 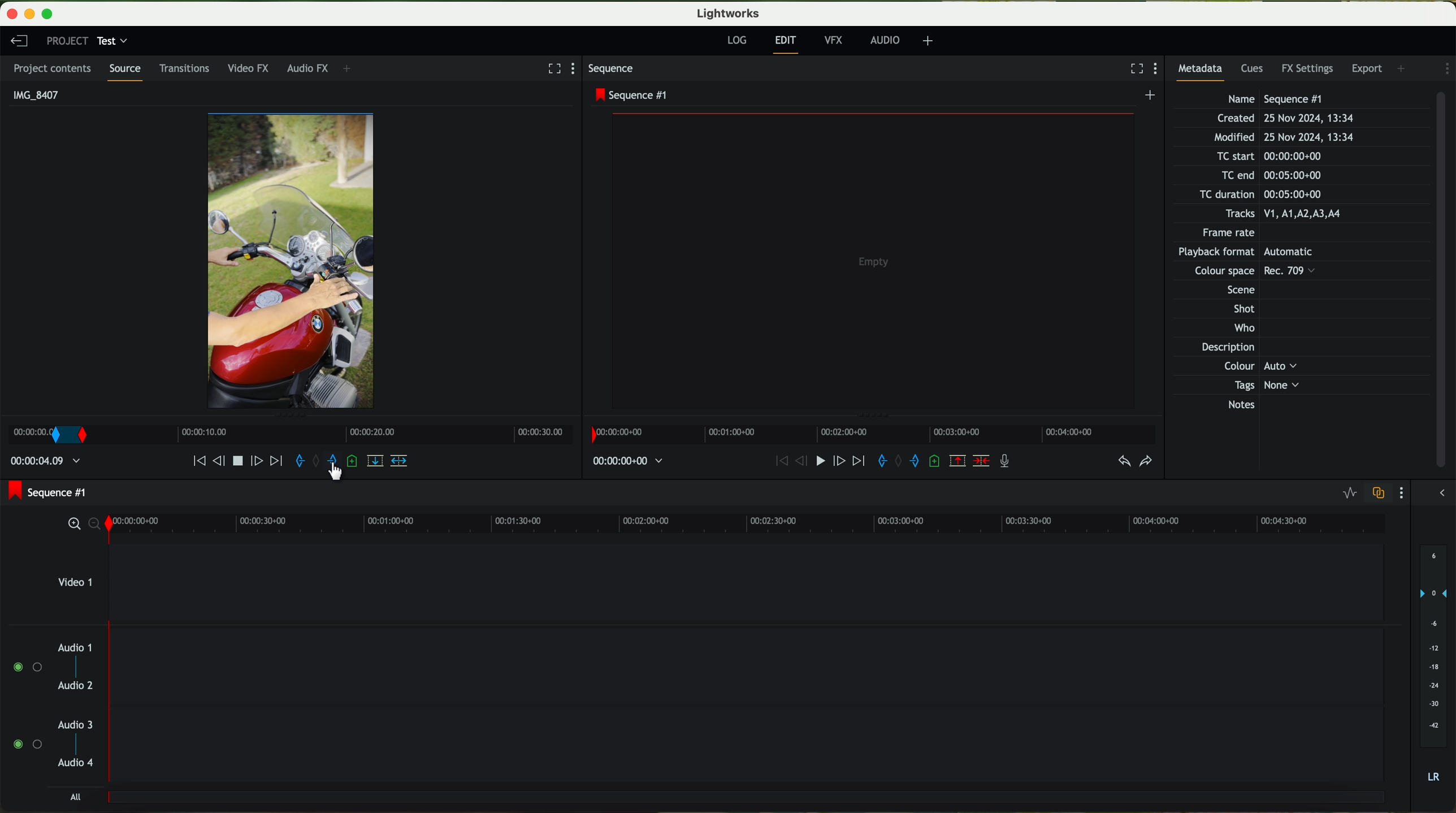 I want to click on track, so click(x=749, y=663).